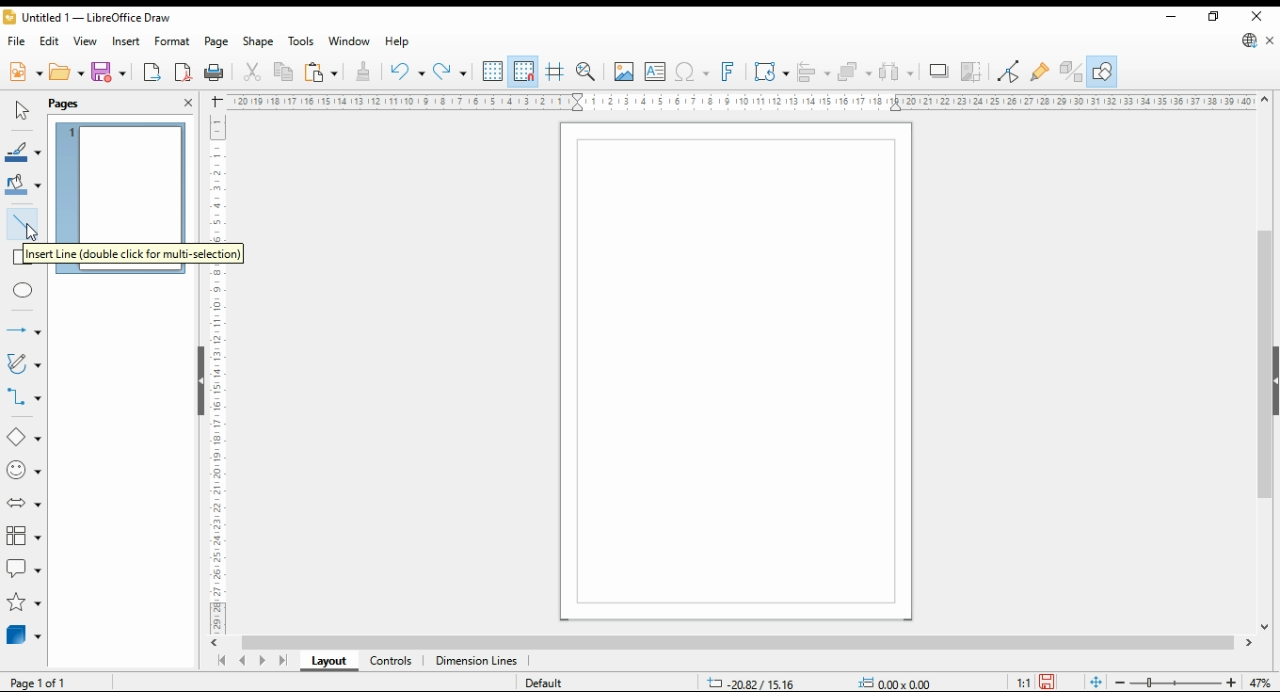 The image size is (1280, 692). I want to click on 3D objects, so click(25, 635).